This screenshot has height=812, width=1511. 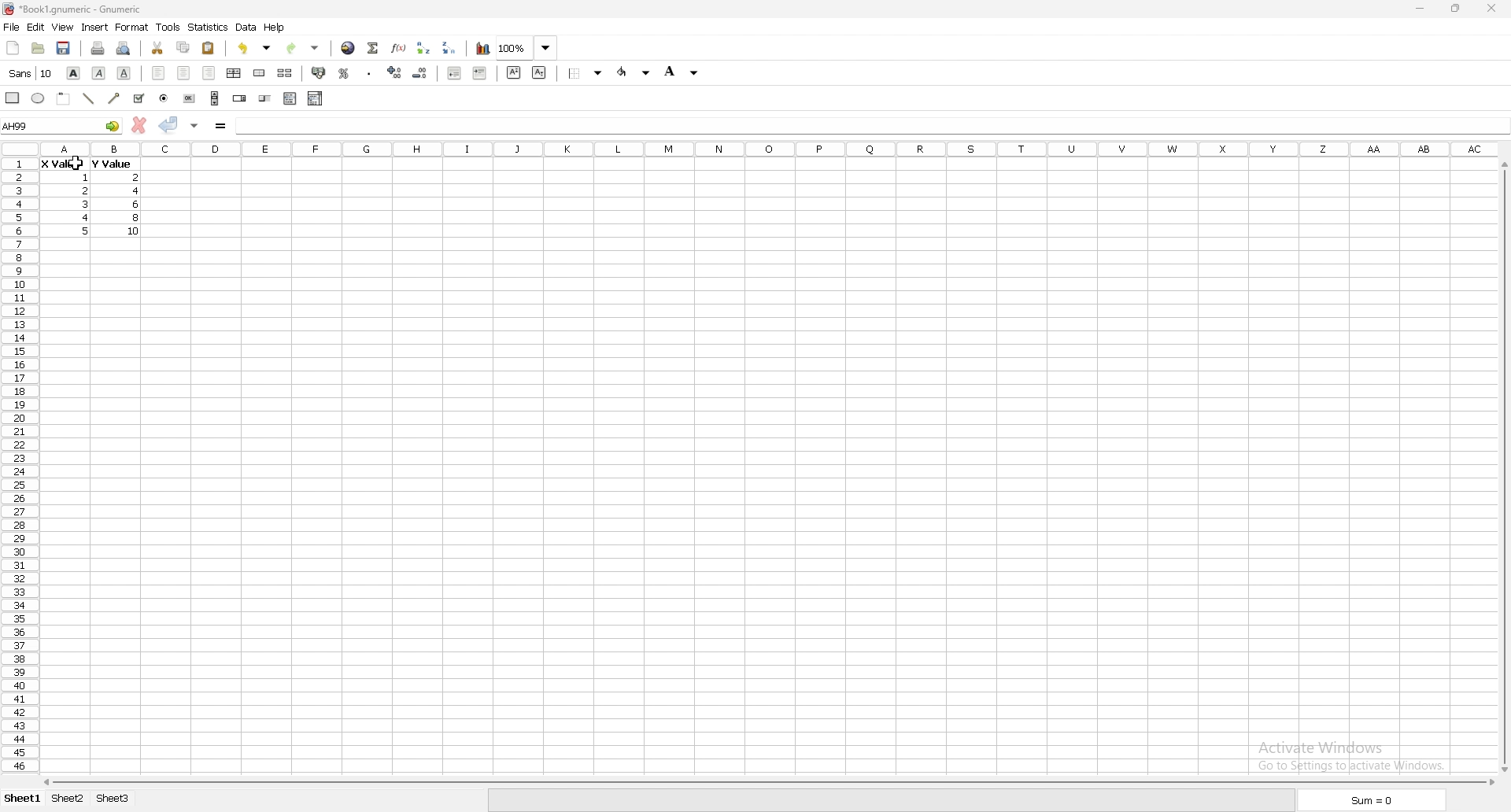 I want to click on right align, so click(x=209, y=73).